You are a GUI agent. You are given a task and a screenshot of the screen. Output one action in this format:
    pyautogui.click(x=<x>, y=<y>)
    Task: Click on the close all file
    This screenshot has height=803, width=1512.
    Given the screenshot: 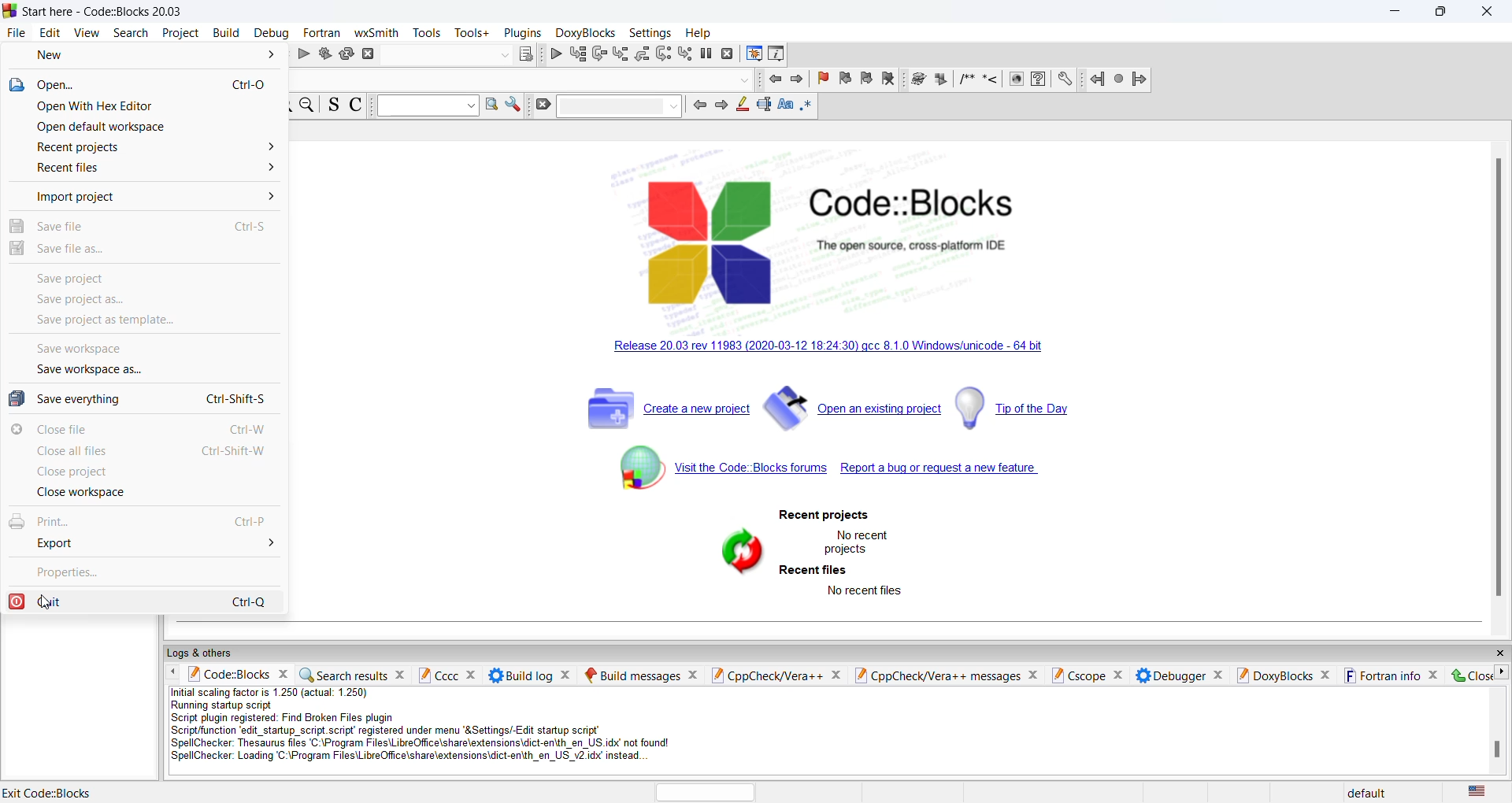 What is the action you would take?
    pyautogui.click(x=144, y=453)
    